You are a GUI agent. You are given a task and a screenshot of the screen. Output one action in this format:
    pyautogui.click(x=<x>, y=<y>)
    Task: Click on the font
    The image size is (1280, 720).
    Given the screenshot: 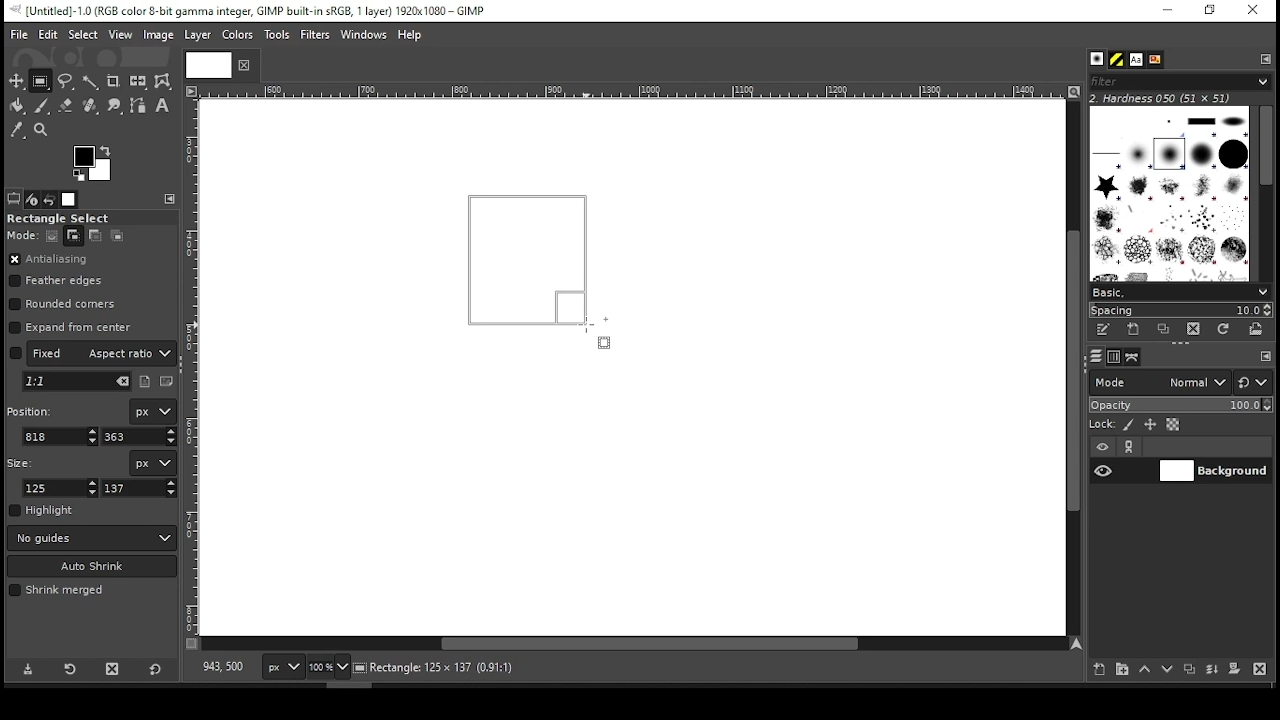 What is the action you would take?
    pyautogui.click(x=1135, y=60)
    